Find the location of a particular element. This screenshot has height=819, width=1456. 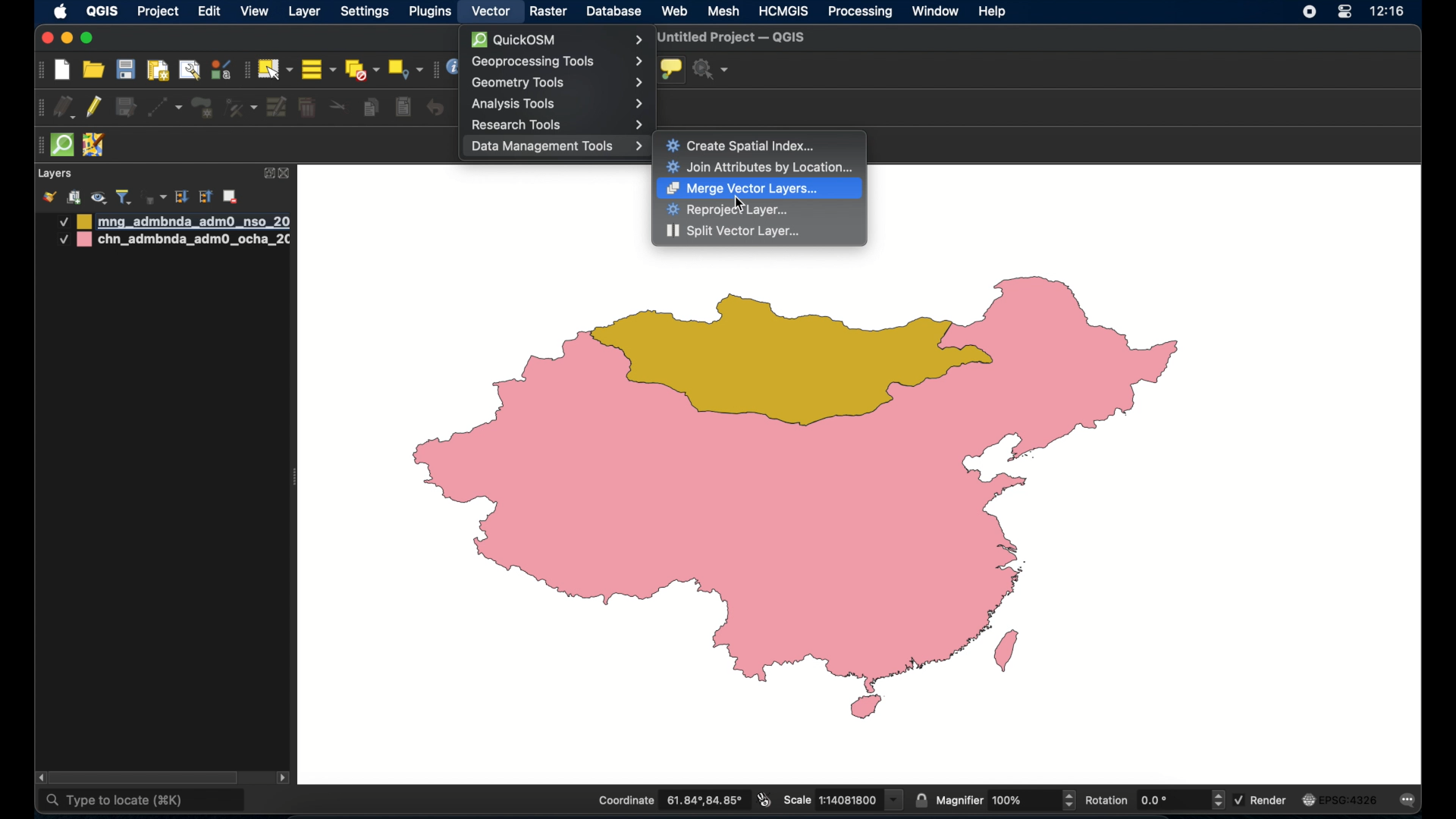

layer is located at coordinates (306, 11).